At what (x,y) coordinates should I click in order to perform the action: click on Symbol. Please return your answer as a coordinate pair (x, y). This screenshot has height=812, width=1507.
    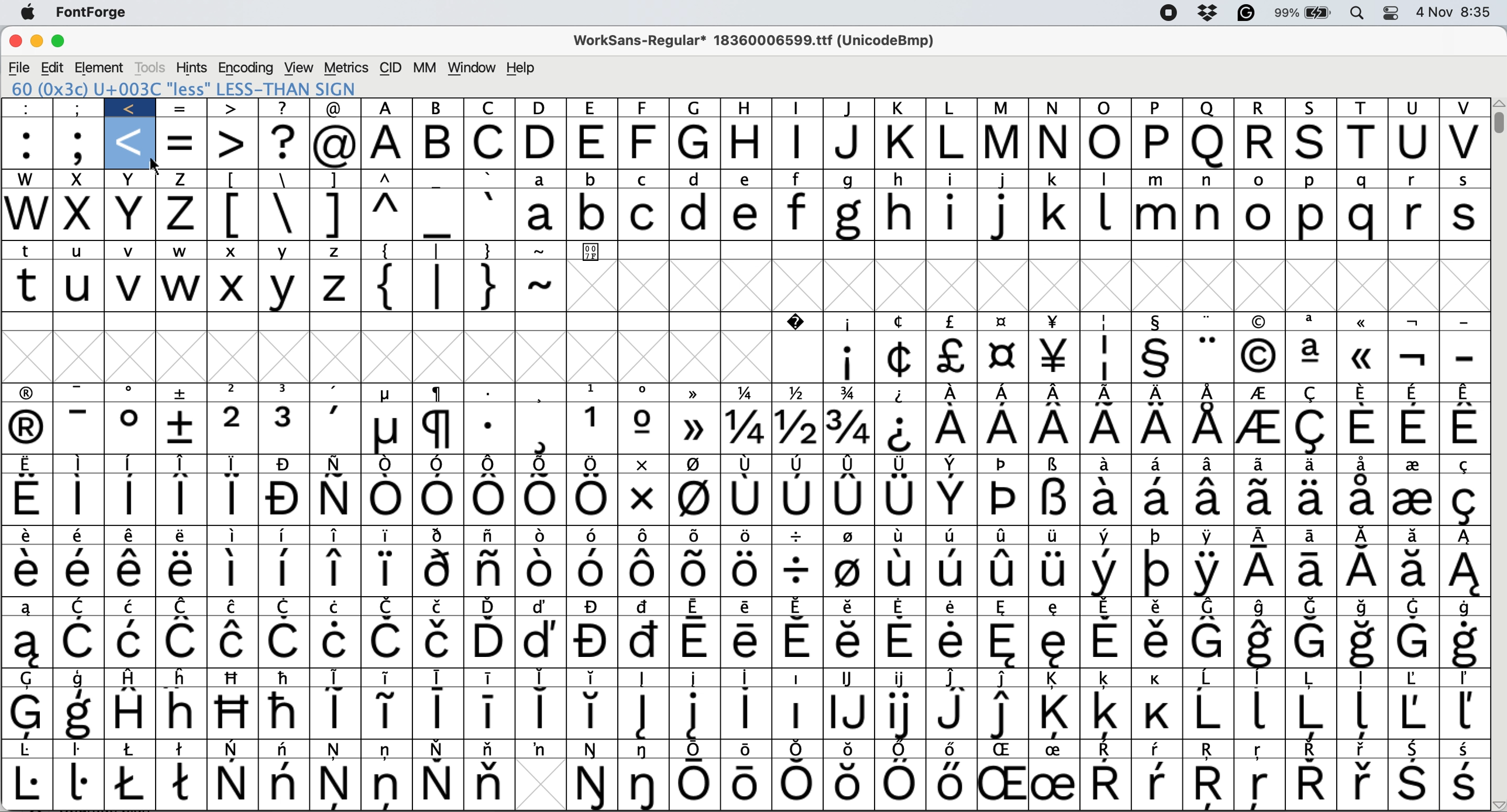
    Looking at the image, I should click on (1259, 679).